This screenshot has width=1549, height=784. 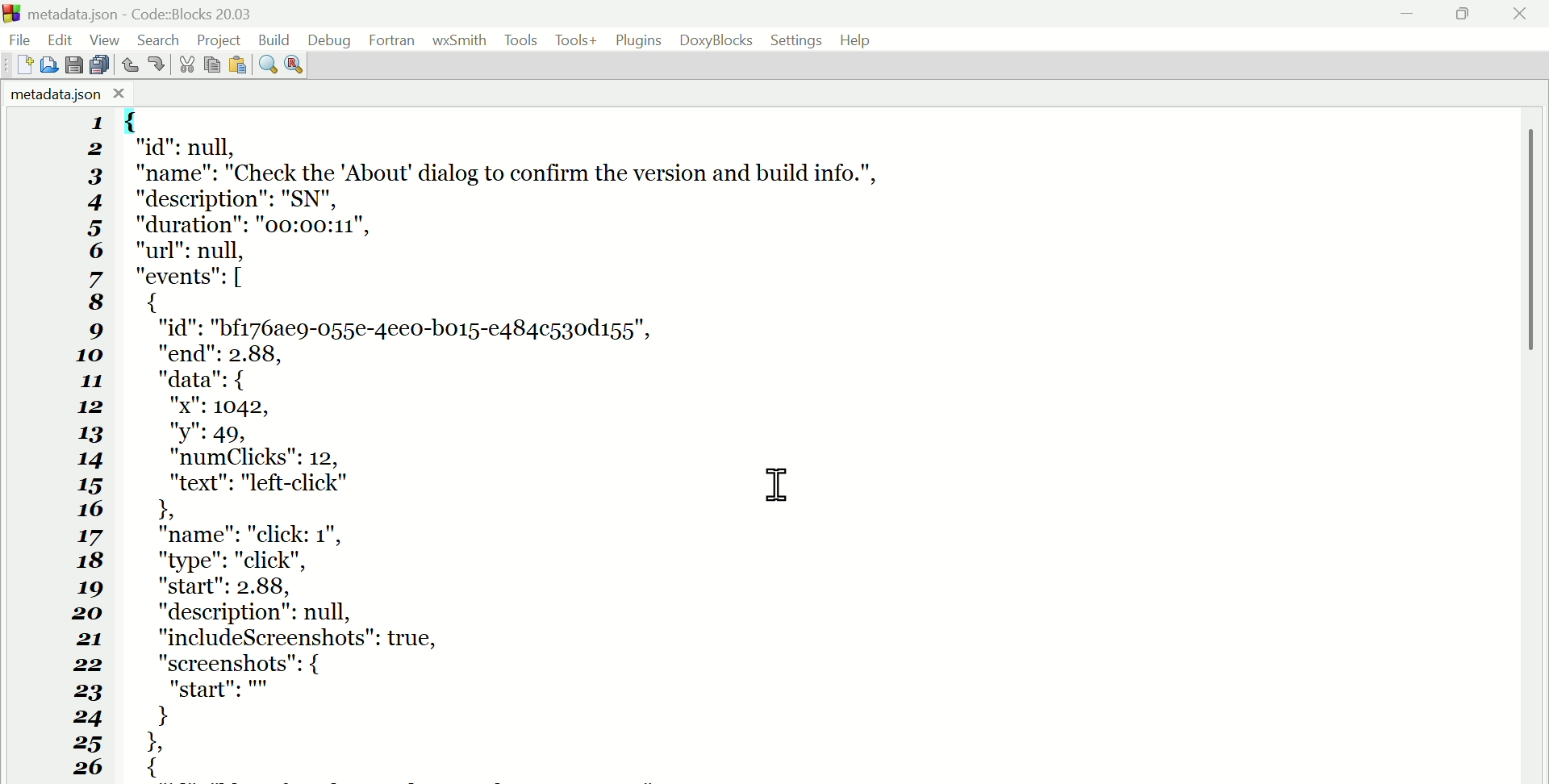 I want to click on Save all, so click(x=101, y=65).